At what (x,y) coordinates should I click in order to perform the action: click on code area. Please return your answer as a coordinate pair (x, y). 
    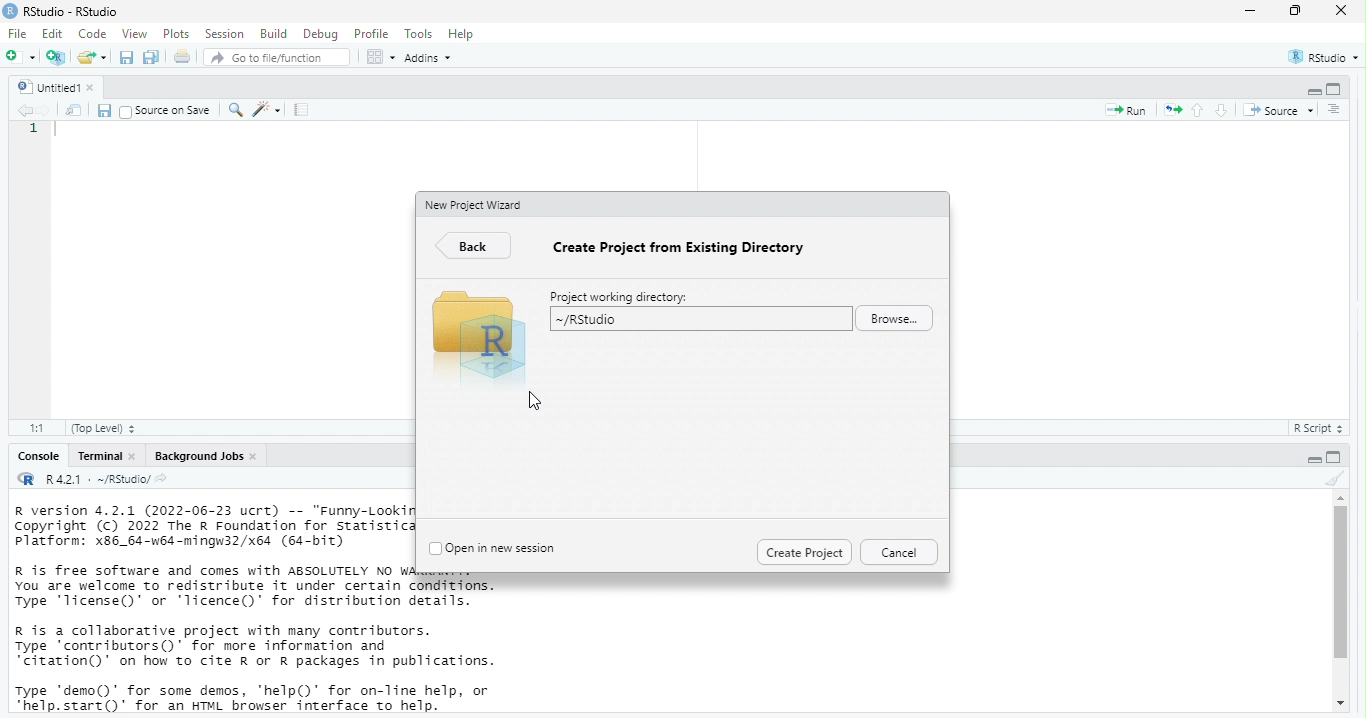
    Looking at the image, I should click on (233, 276).